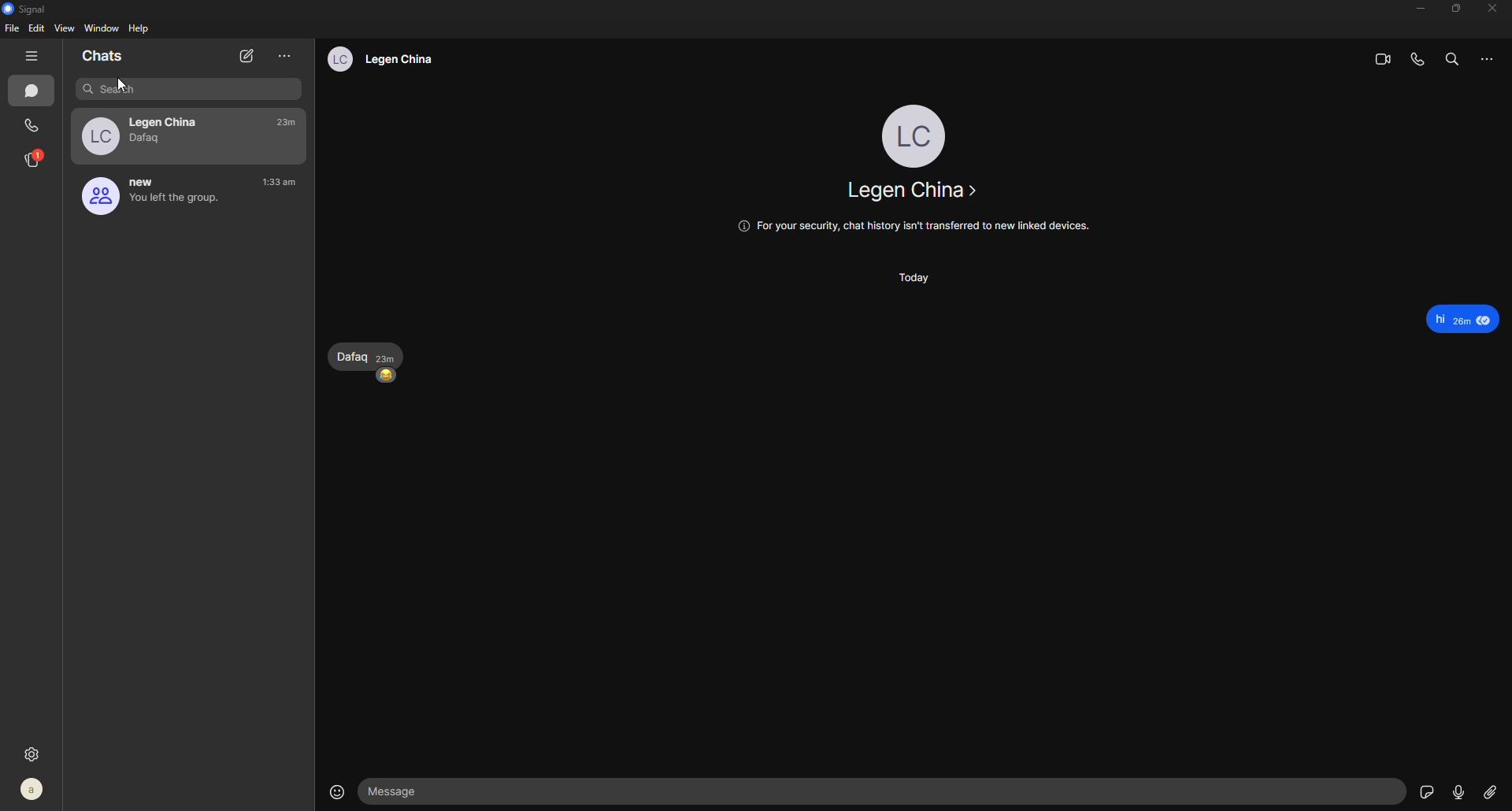 The height and width of the screenshot is (811, 1512). What do you see at coordinates (122, 84) in the screenshot?
I see `cursor` at bounding box center [122, 84].